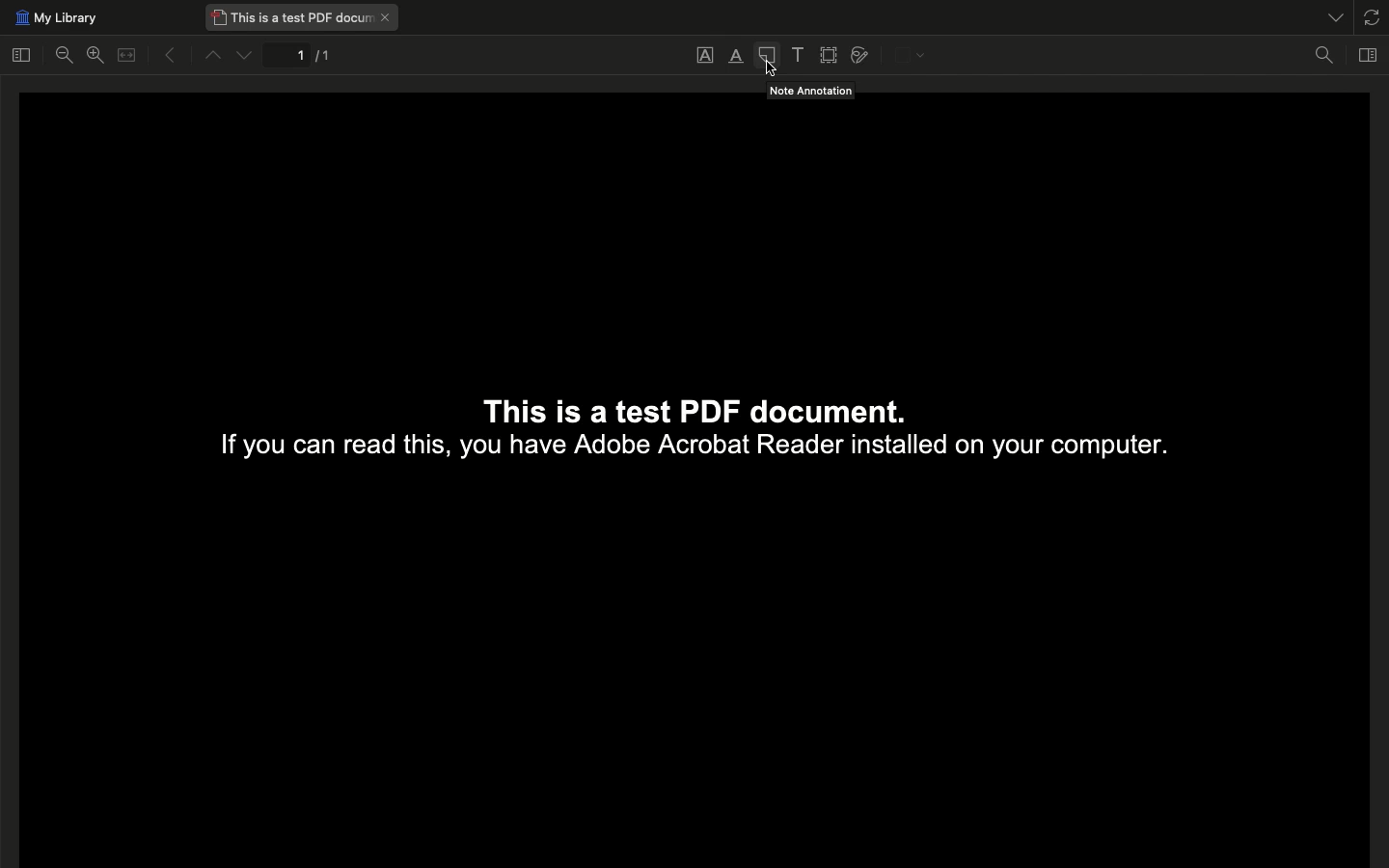  Describe the element at coordinates (211, 57) in the screenshot. I see `Up` at that location.